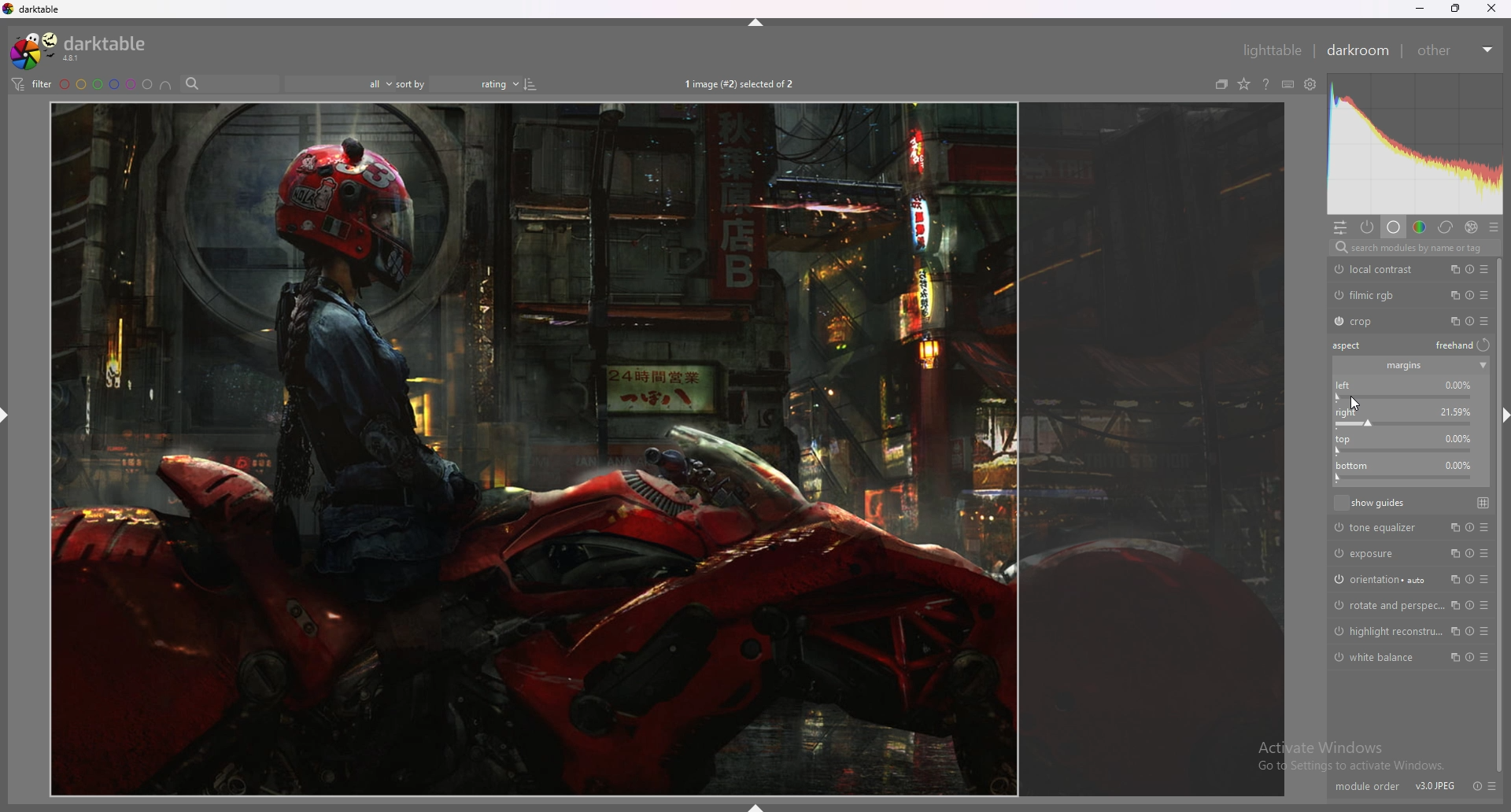  Describe the element at coordinates (1486, 554) in the screenshot. I see `presets` at that location.